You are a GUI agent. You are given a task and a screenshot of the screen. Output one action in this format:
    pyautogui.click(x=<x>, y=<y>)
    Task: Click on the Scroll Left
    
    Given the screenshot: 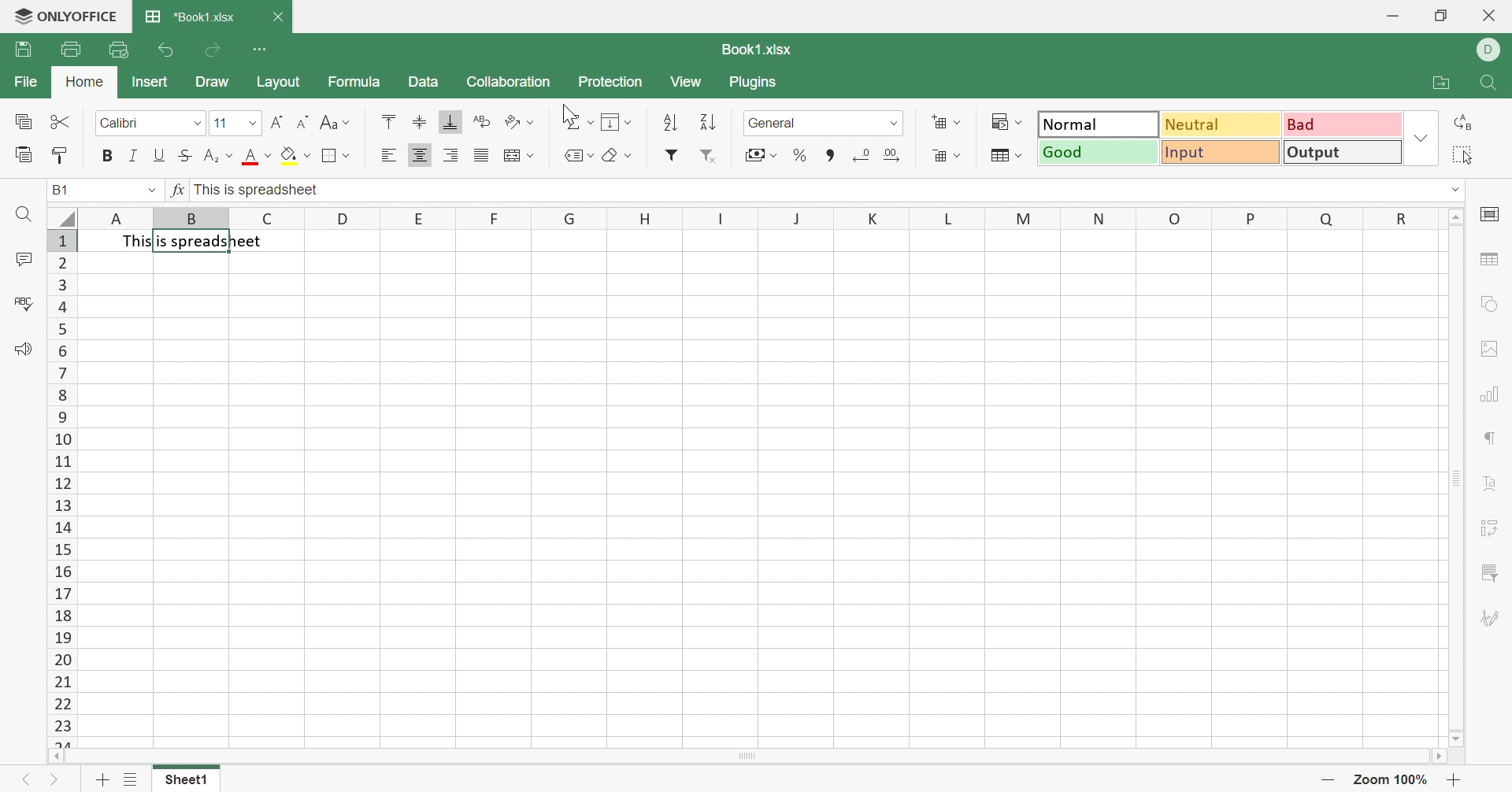 What is the action you would take?
    pyautogui.click(x=56, y=756)
    